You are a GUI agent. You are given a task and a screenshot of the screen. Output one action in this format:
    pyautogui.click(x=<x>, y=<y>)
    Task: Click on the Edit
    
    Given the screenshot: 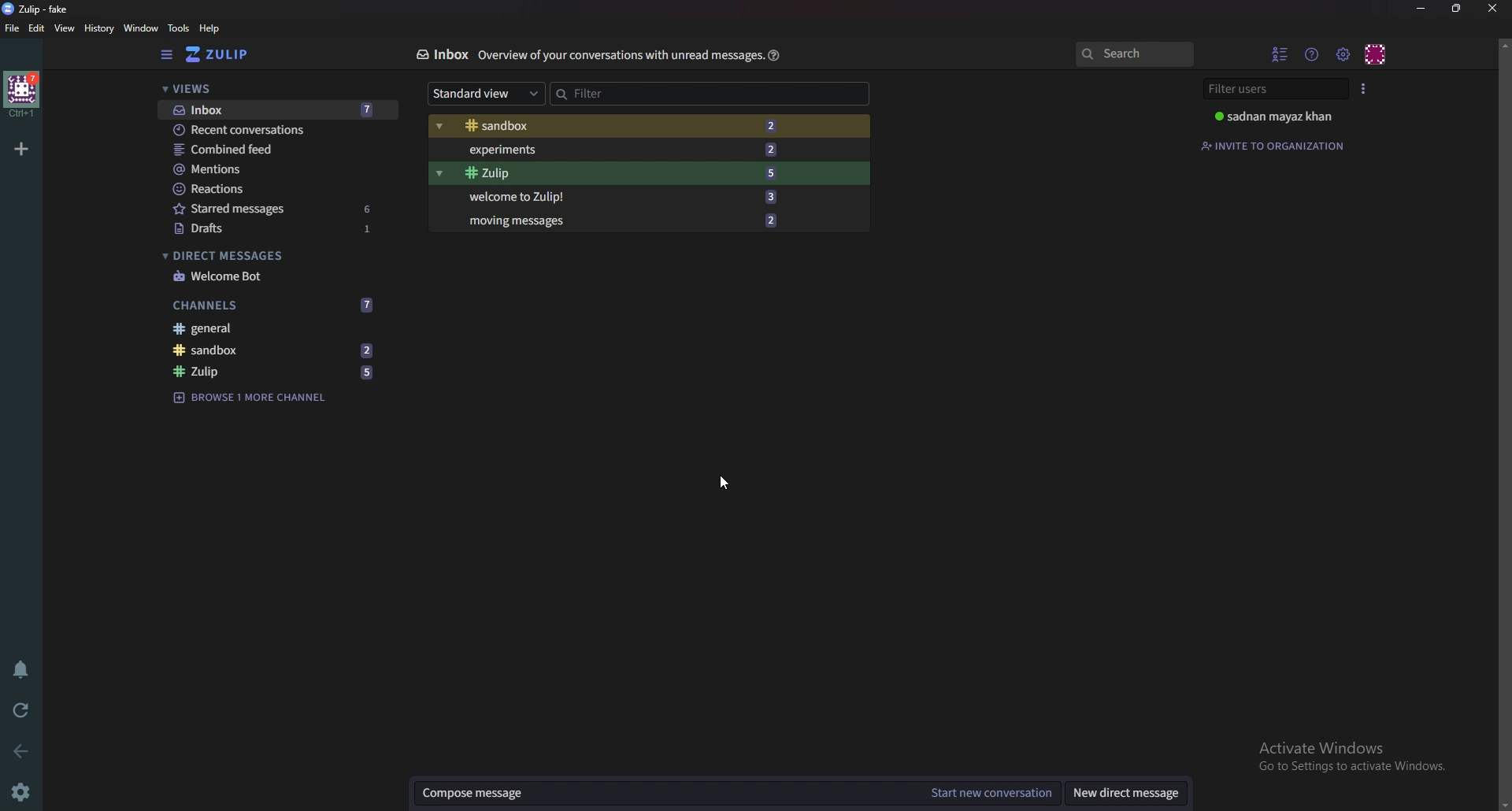 What is the action you would take?
    pyautogui.click(x=38, y=29)
    